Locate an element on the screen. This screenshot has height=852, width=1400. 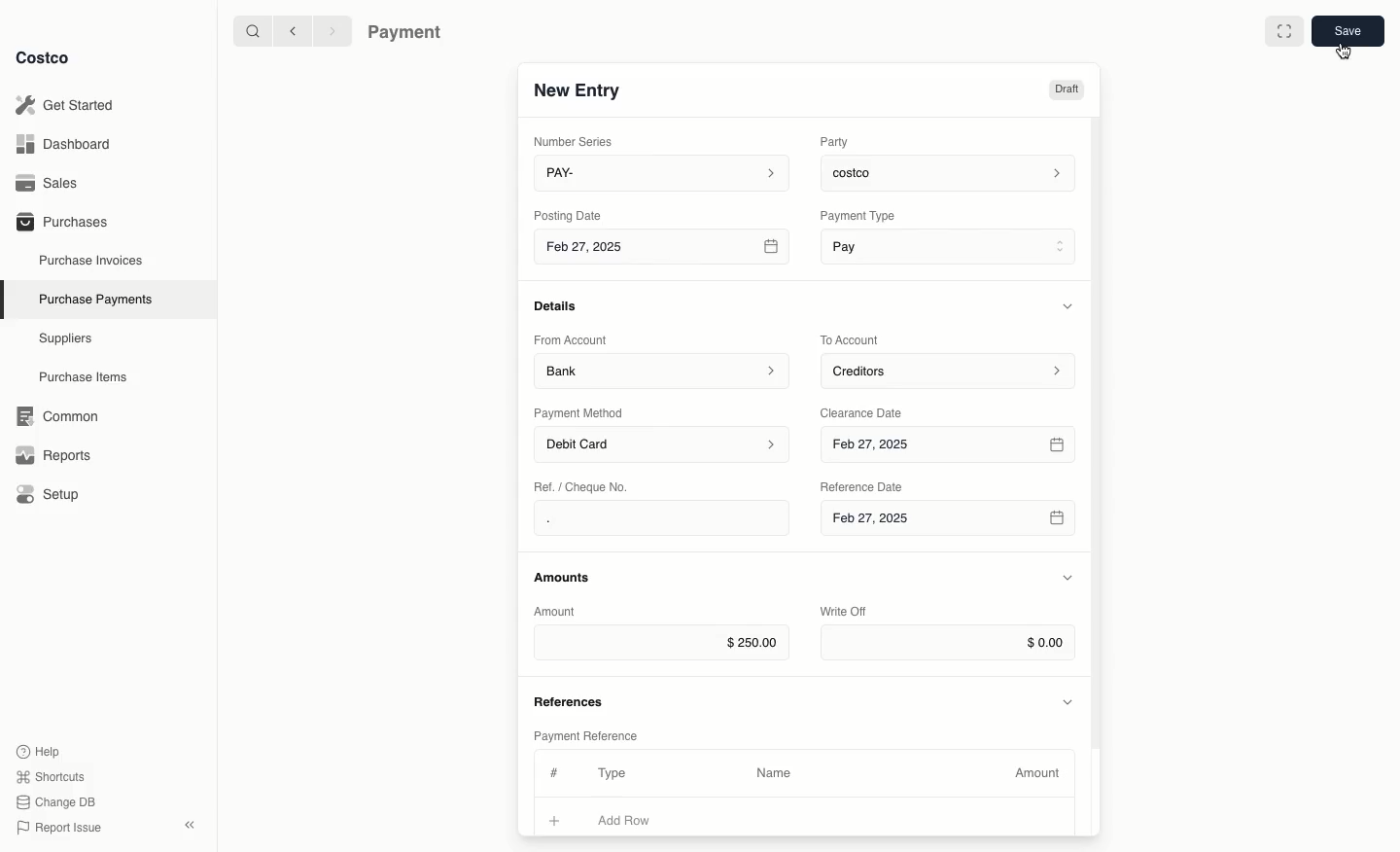
Purchase Payments is located at coordinates (94, 298).